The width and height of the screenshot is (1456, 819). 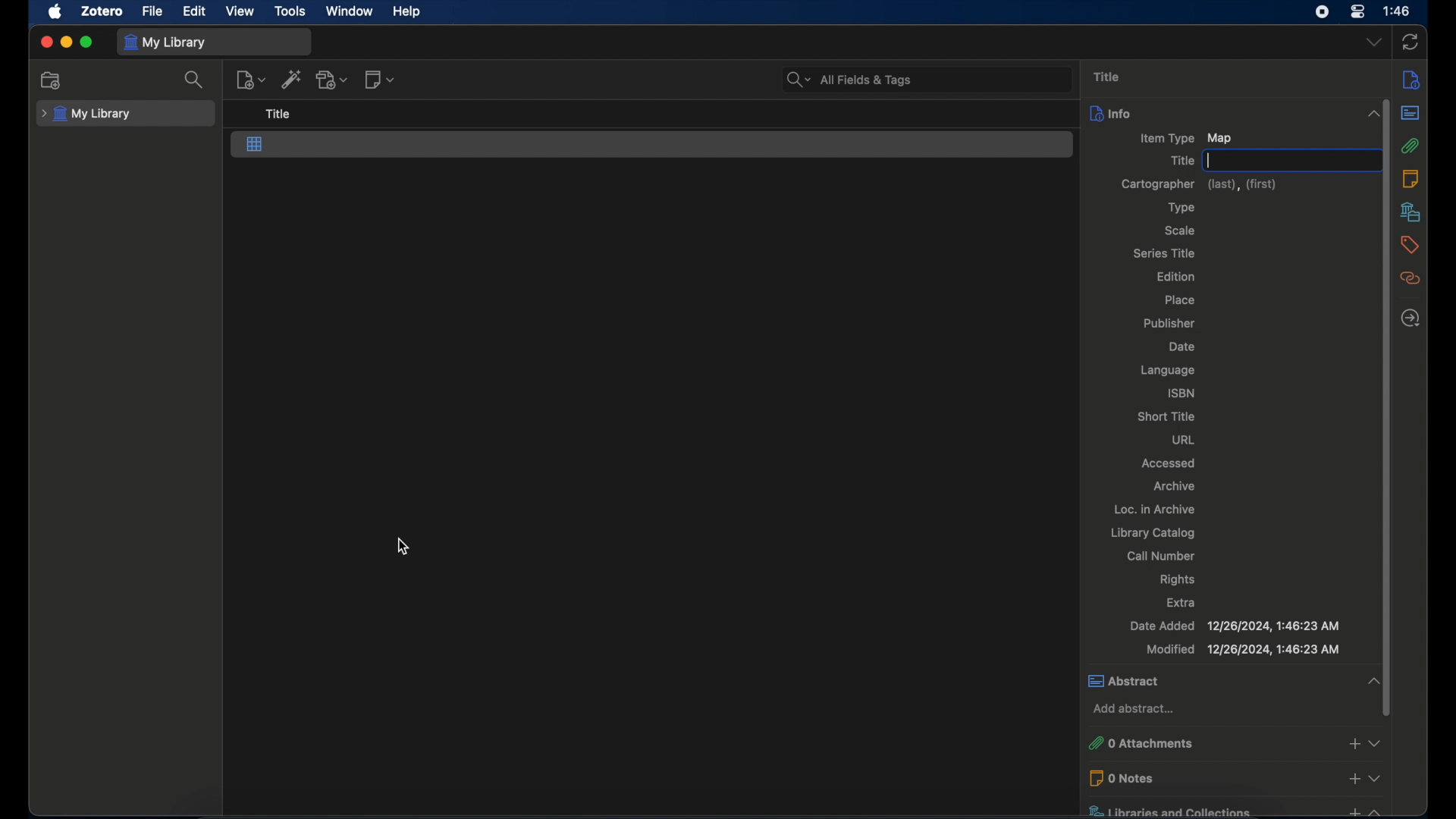 I want to click on cursor, so click(x=402, y=547).